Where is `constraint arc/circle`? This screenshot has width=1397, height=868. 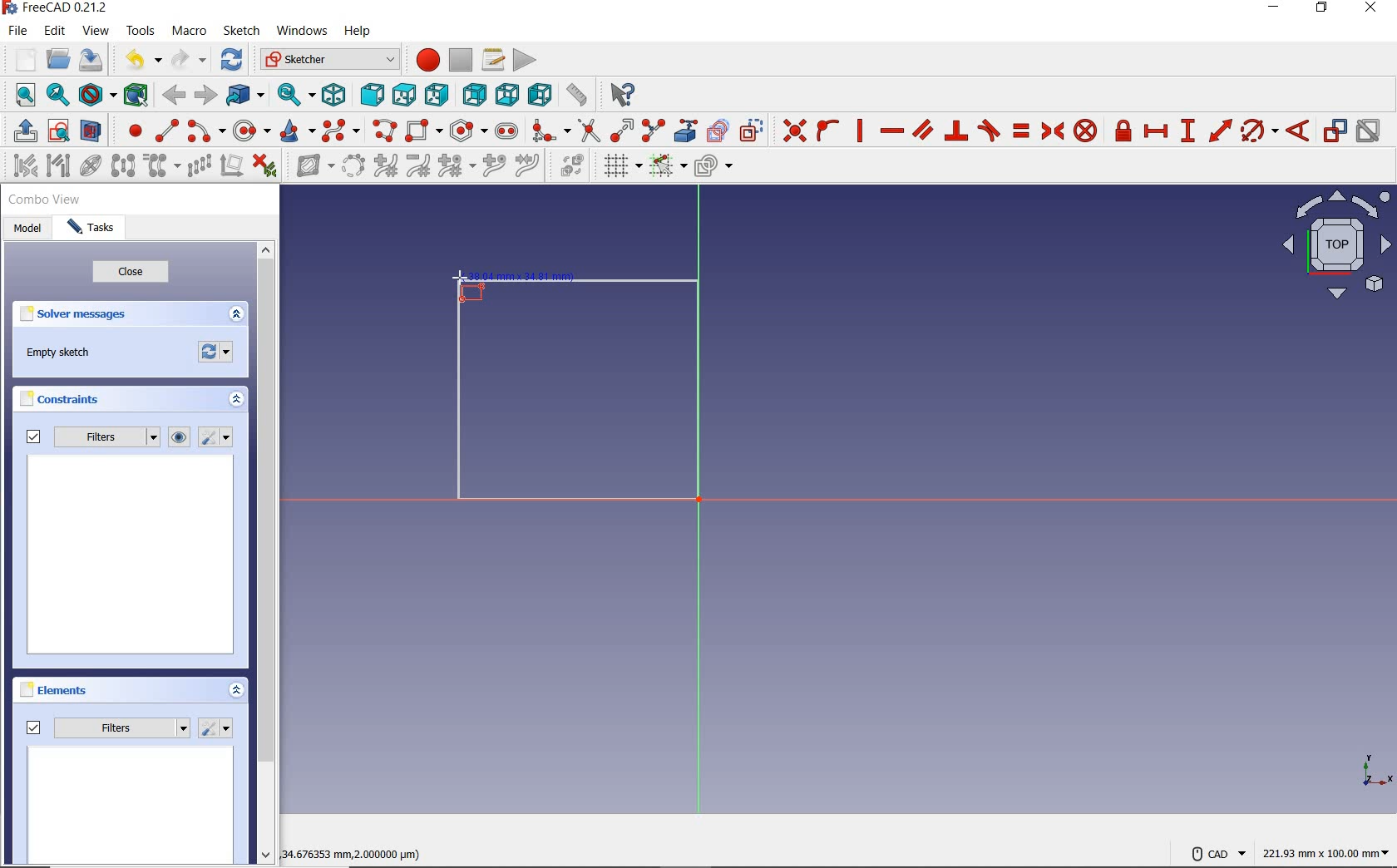
constraint arc/circle is located at coordinates (1260, 131).